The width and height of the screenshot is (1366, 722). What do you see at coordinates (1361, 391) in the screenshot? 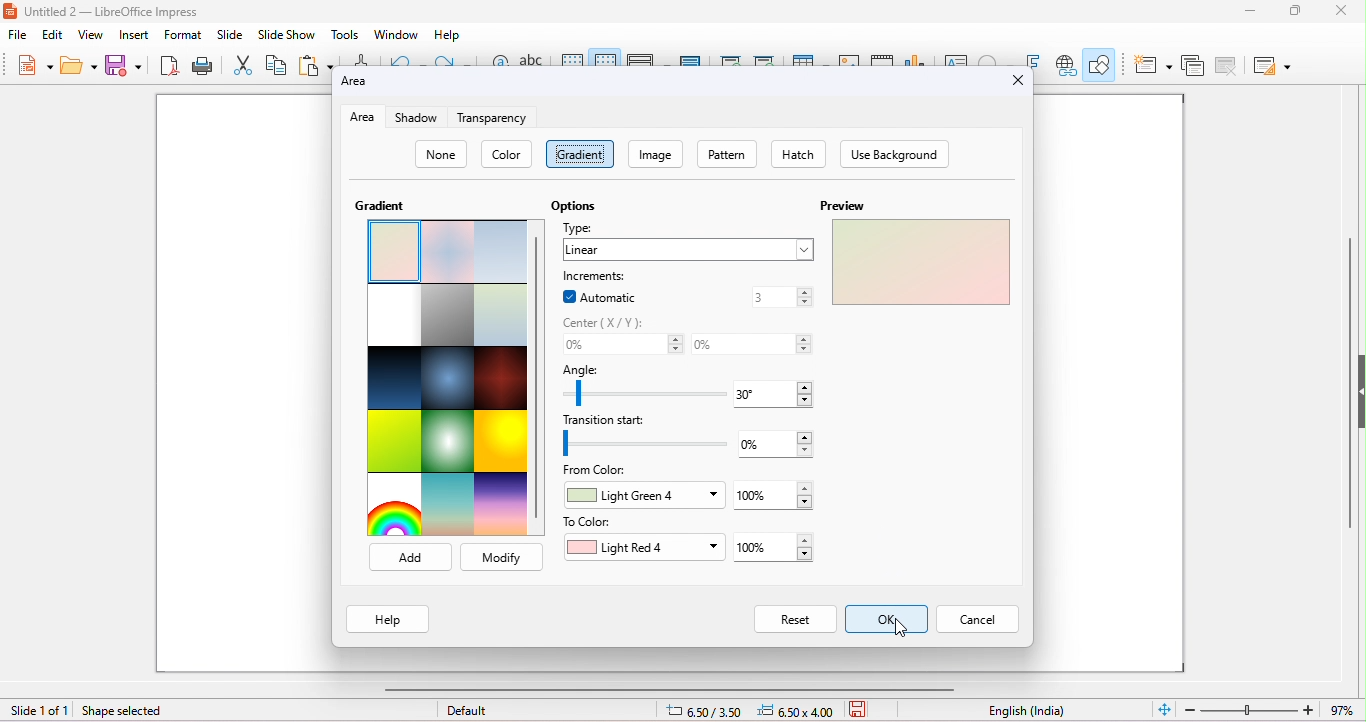
I see `Expand/Collapse sidebar` at bounding box center [1361, 391].